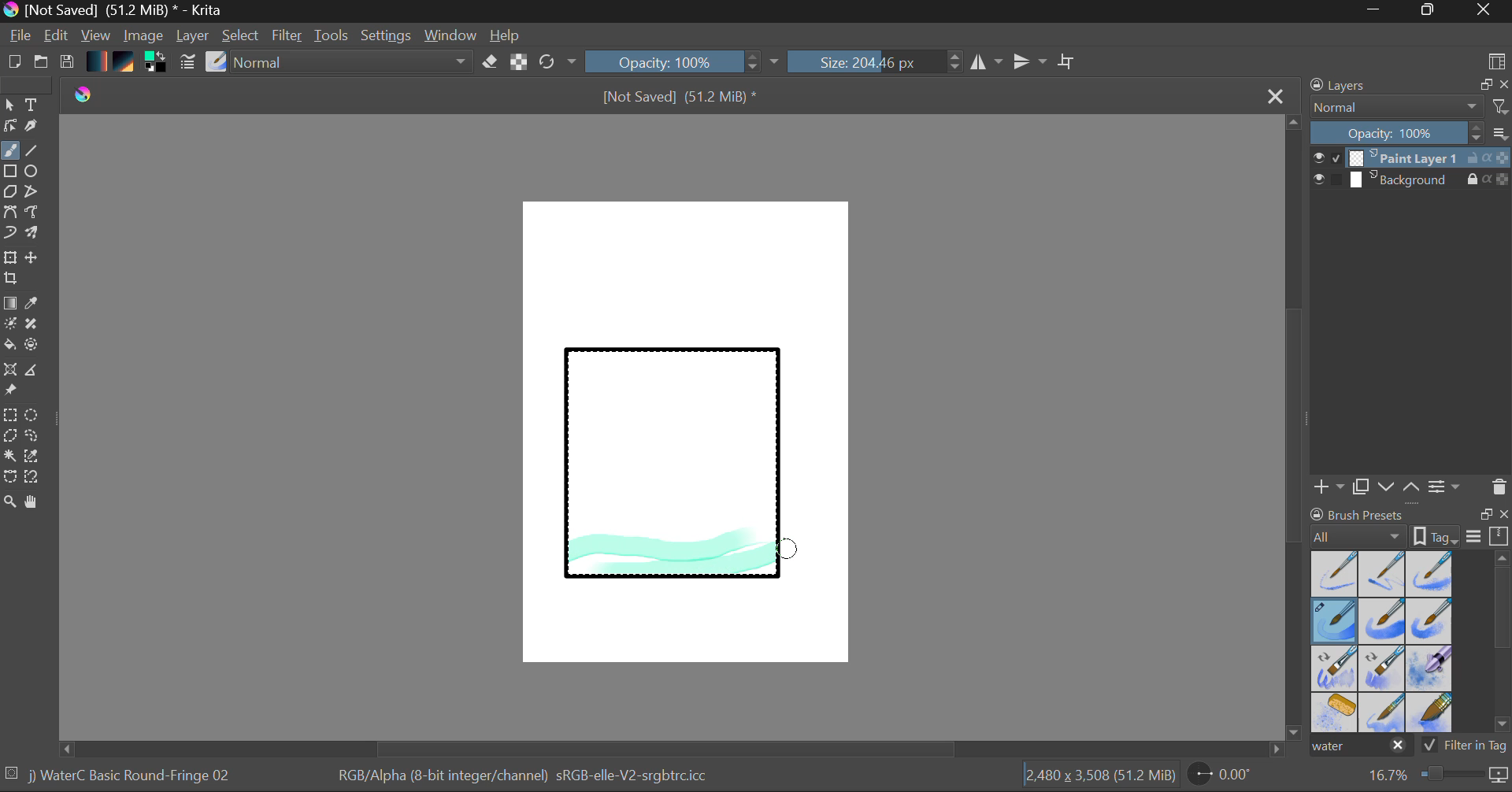 The image size is (1512, 792). Describe the element at coordinates (32, 151) in the screenshot. I see `Line` at that location.